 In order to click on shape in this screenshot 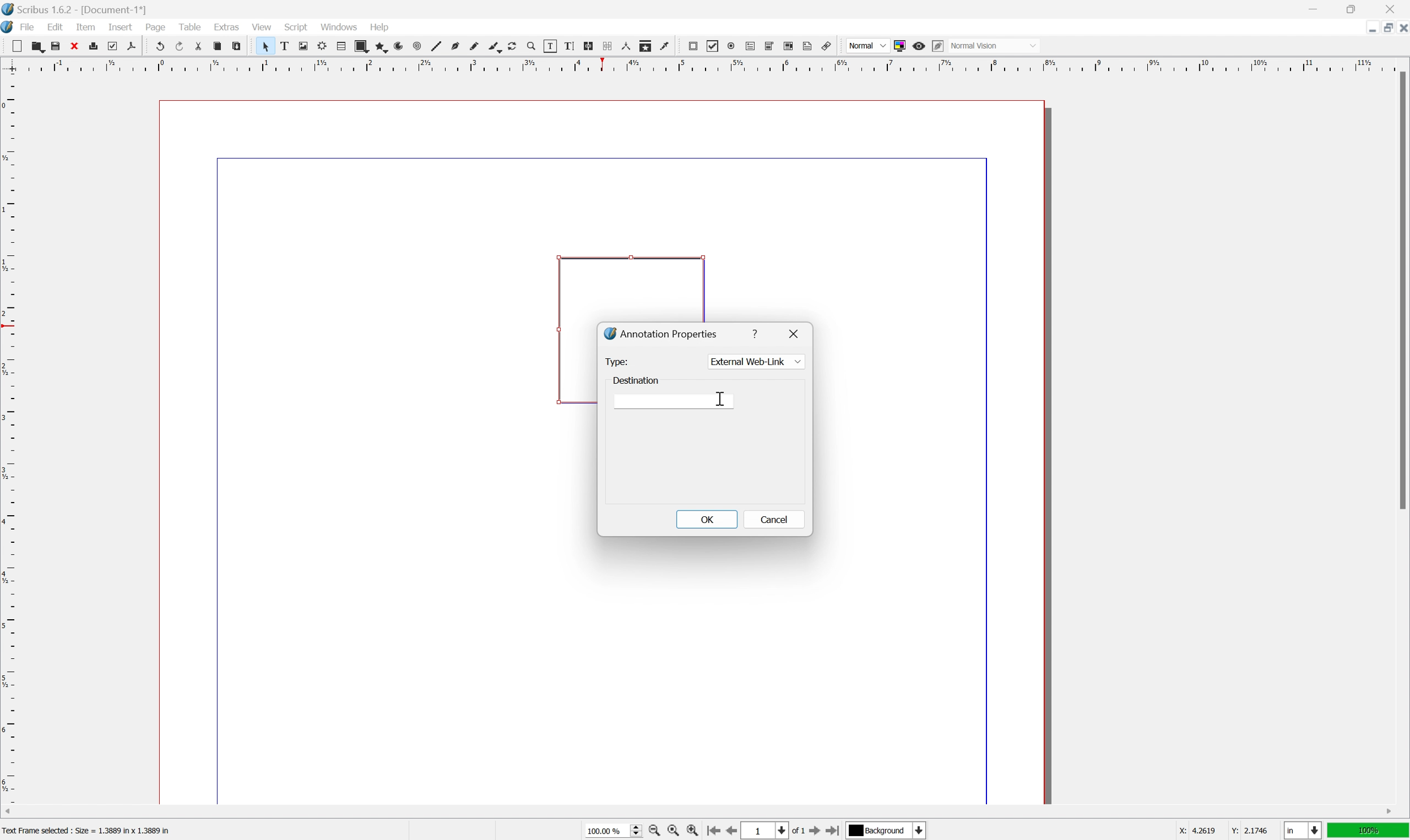, I will do `click(361, 46)`.